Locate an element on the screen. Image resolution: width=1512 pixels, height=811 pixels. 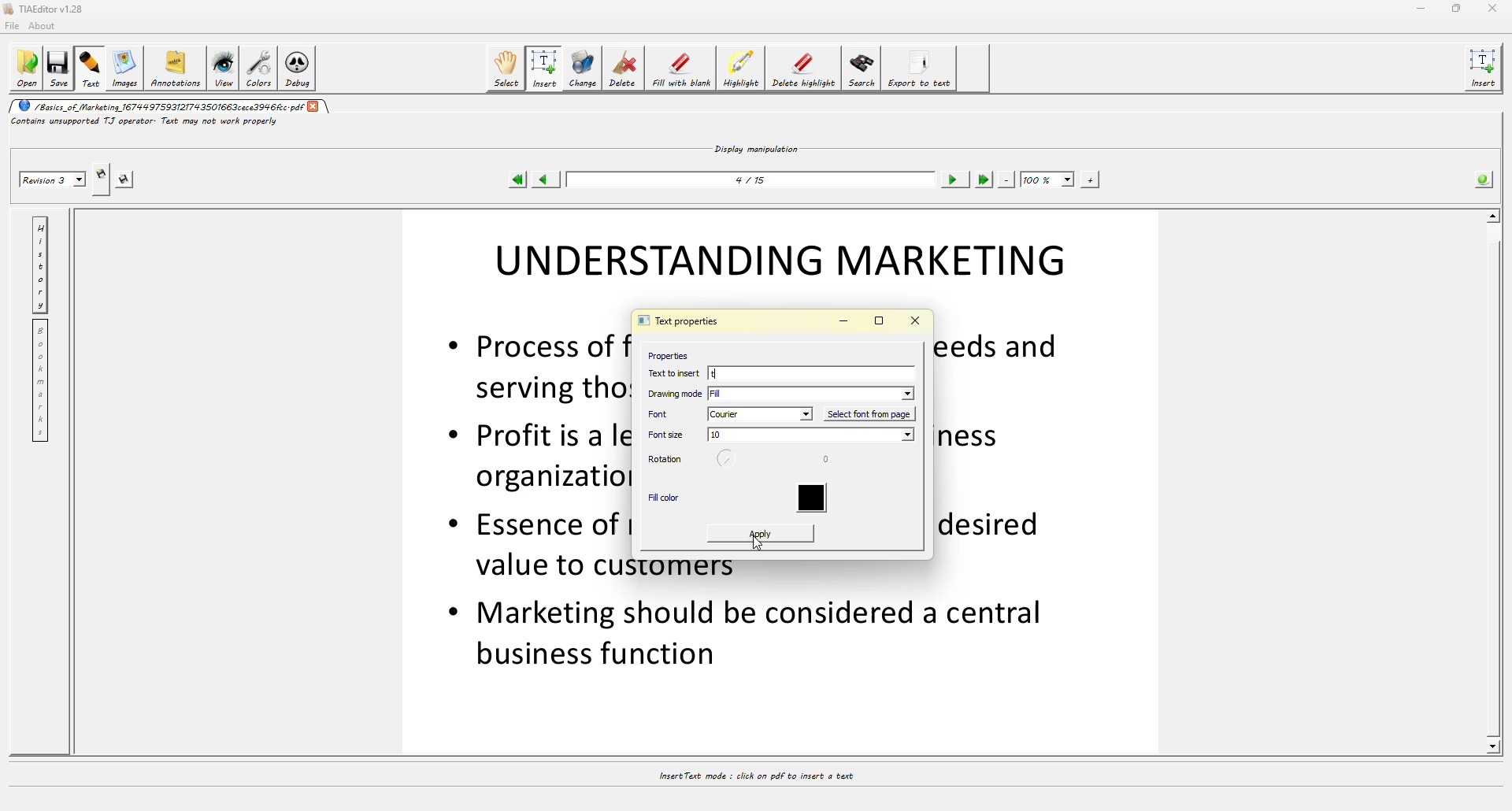
text to insert is located at coordinates (676, 372).